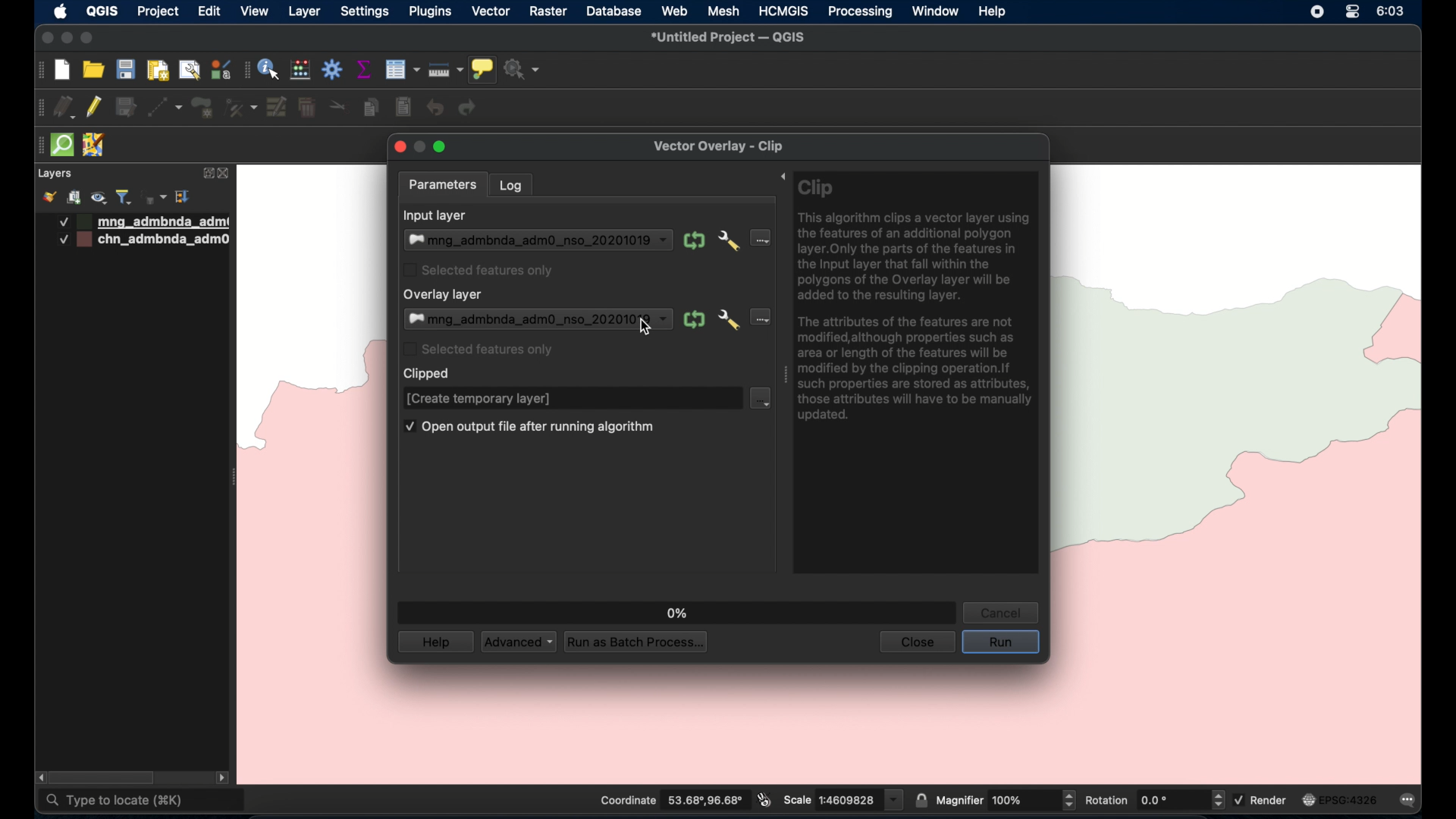 The image size is (1456, 819). I want to click on input layer dropdown, so click(537, 240).